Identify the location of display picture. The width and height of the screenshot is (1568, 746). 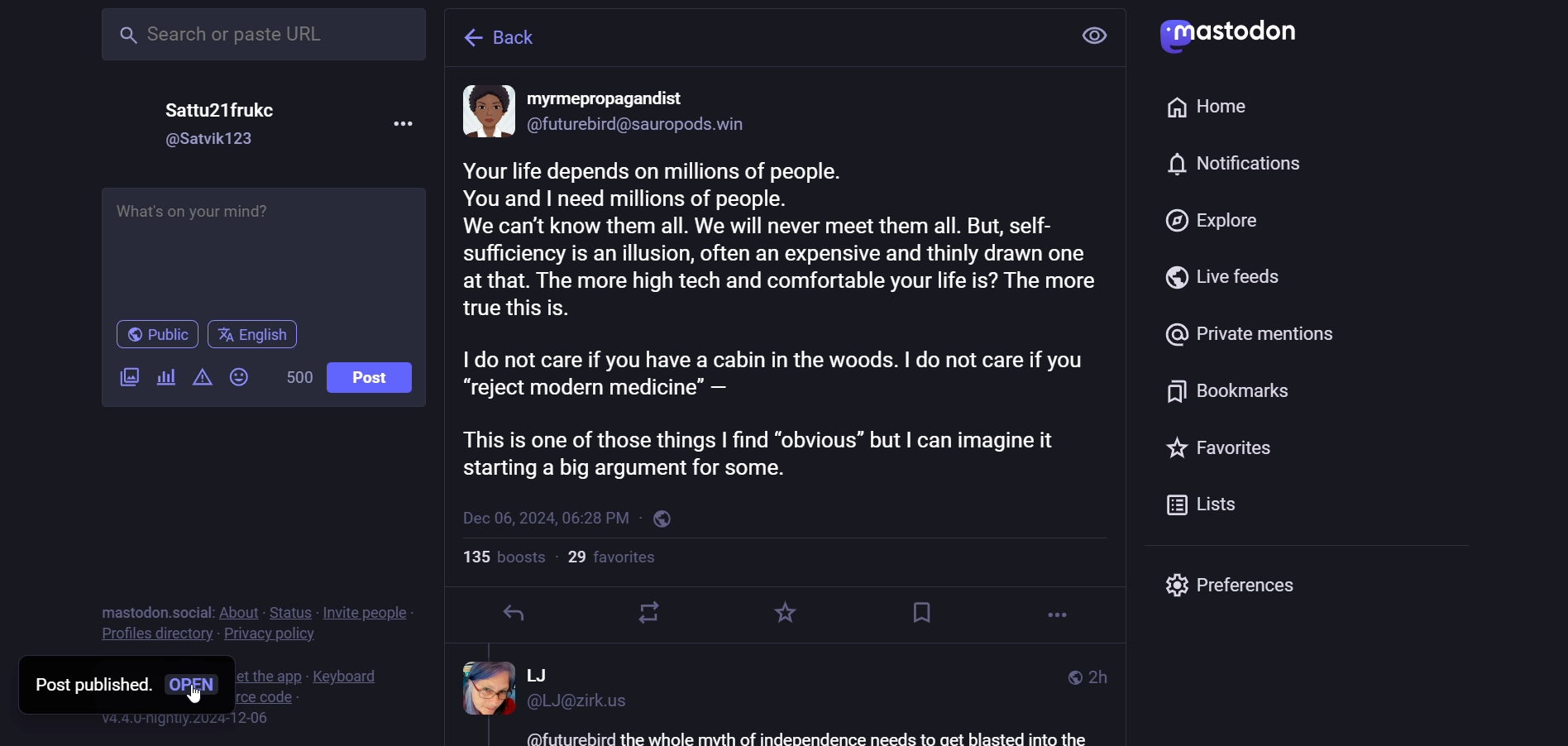
(485, 112).